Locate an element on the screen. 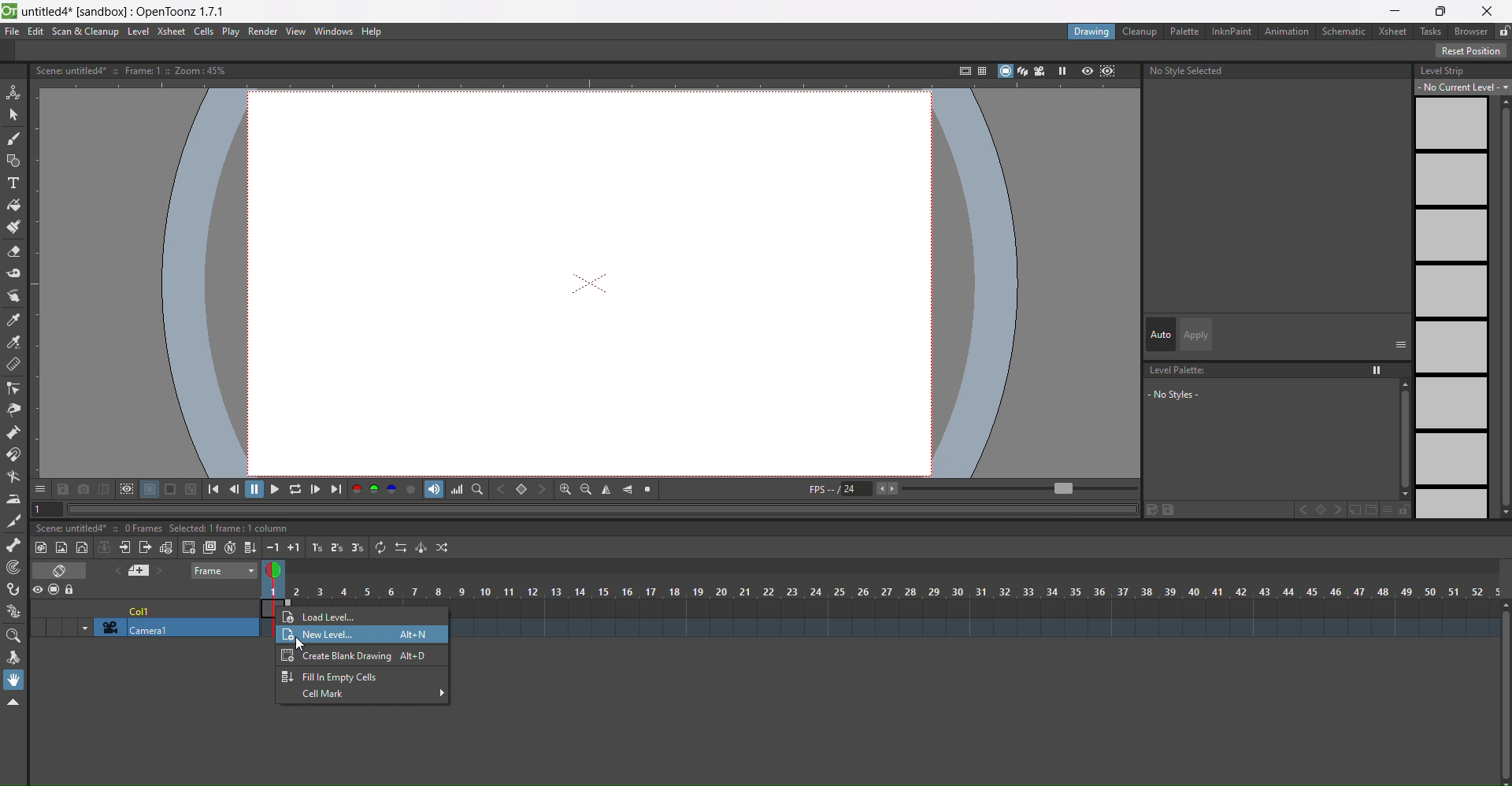  field guide is located at coordinates (980, 70).